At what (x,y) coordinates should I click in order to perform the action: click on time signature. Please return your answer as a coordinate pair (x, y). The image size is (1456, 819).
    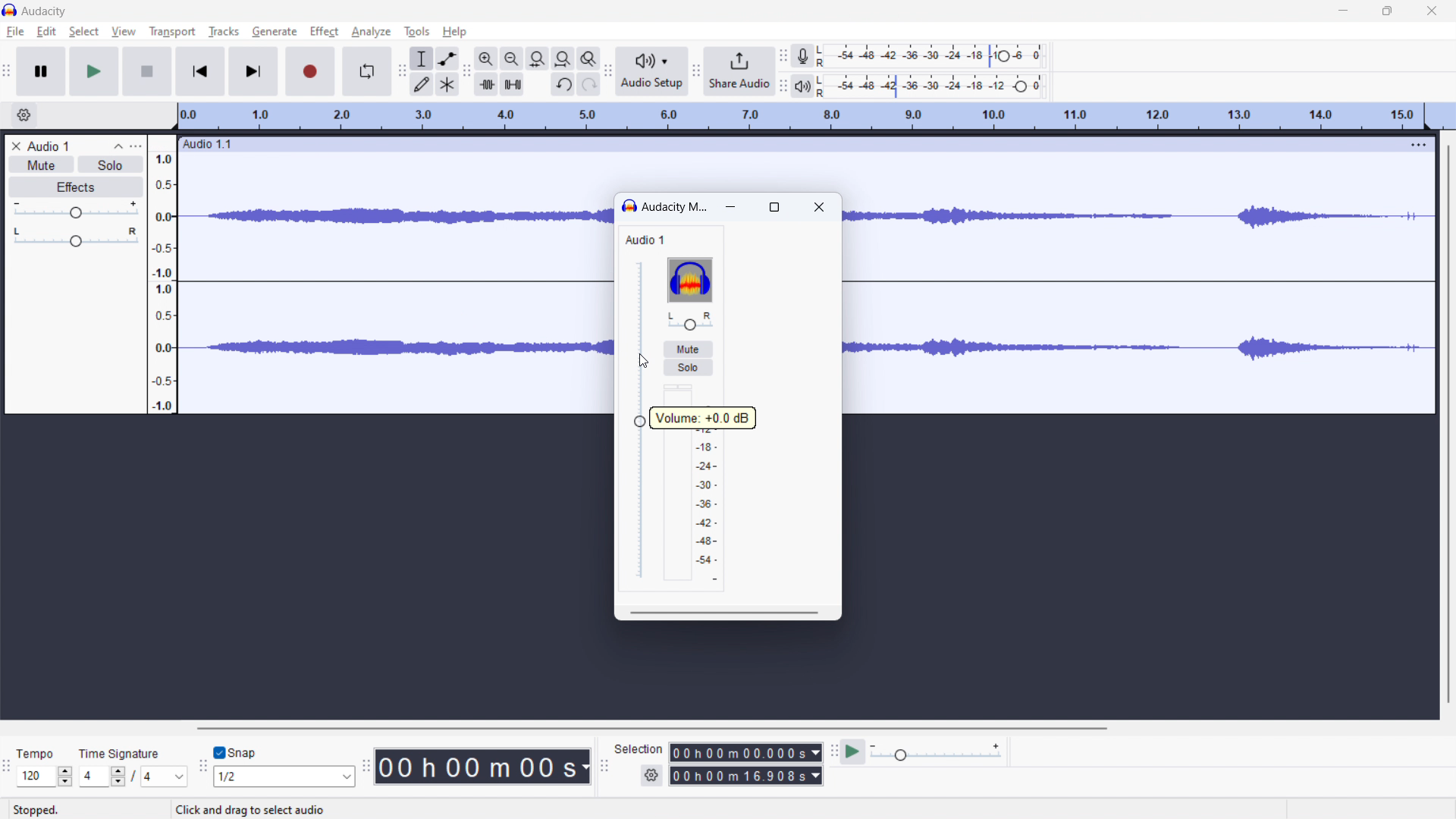
    Looking at the image, I should click on (128, 749).